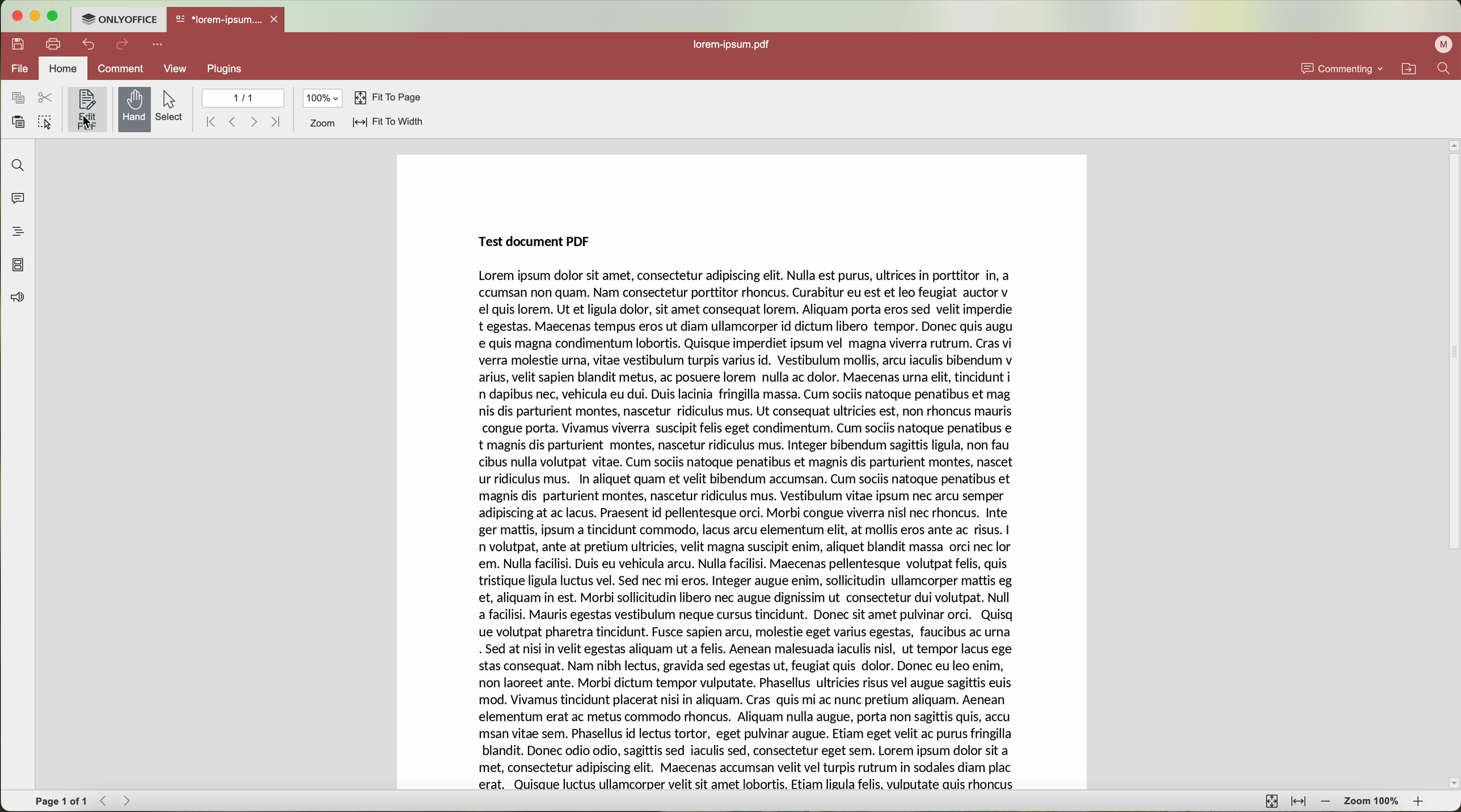 The width and height of the screenshot is (1461, 812). Describe the element at coordinates (54, 43) in the screenshot. I see `print` at that location.